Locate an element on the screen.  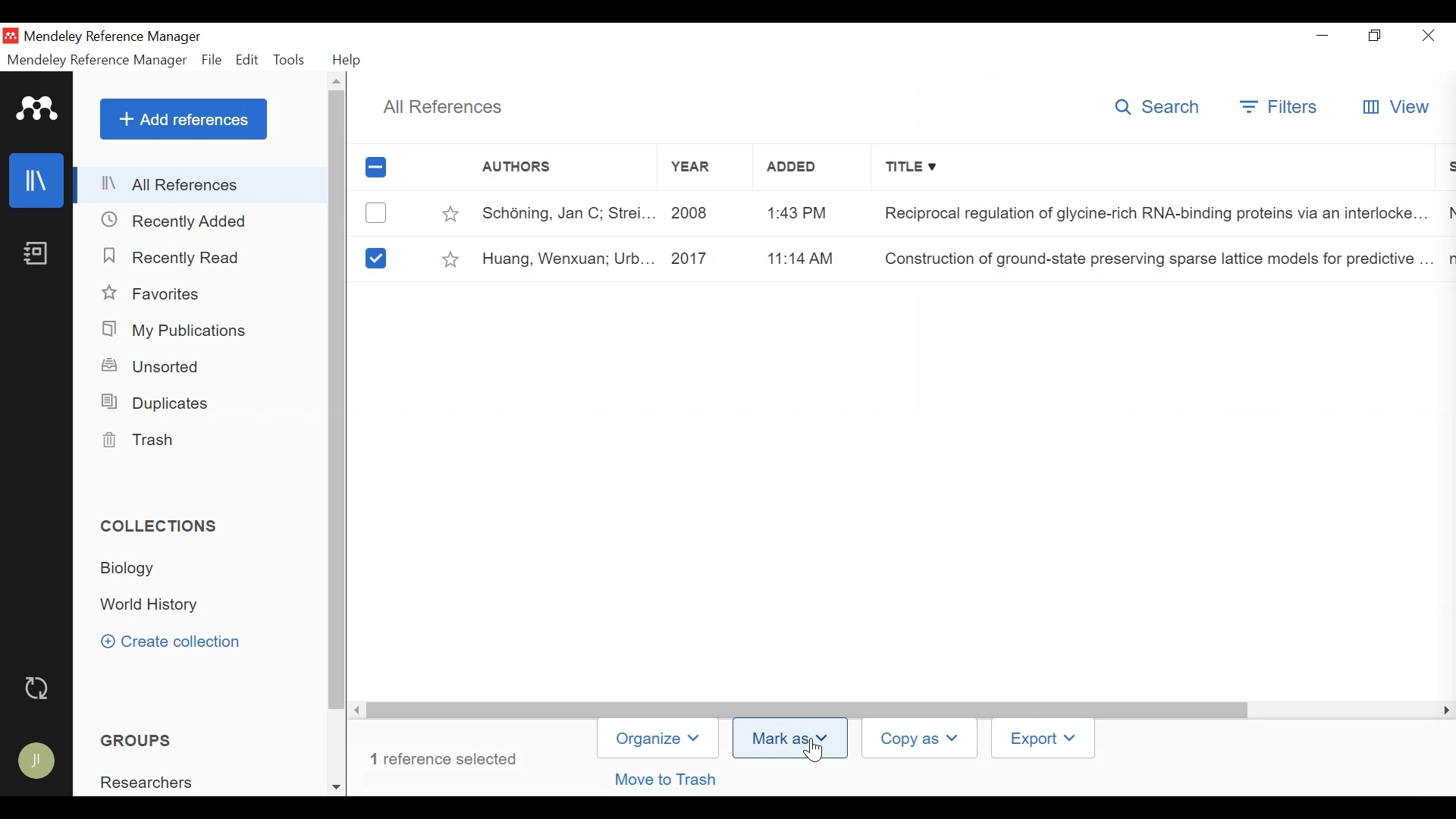
Reciprocal regulation of glycine-rich RNA-binding proteins via an interlocke... is located at coordinates (1150, 216).